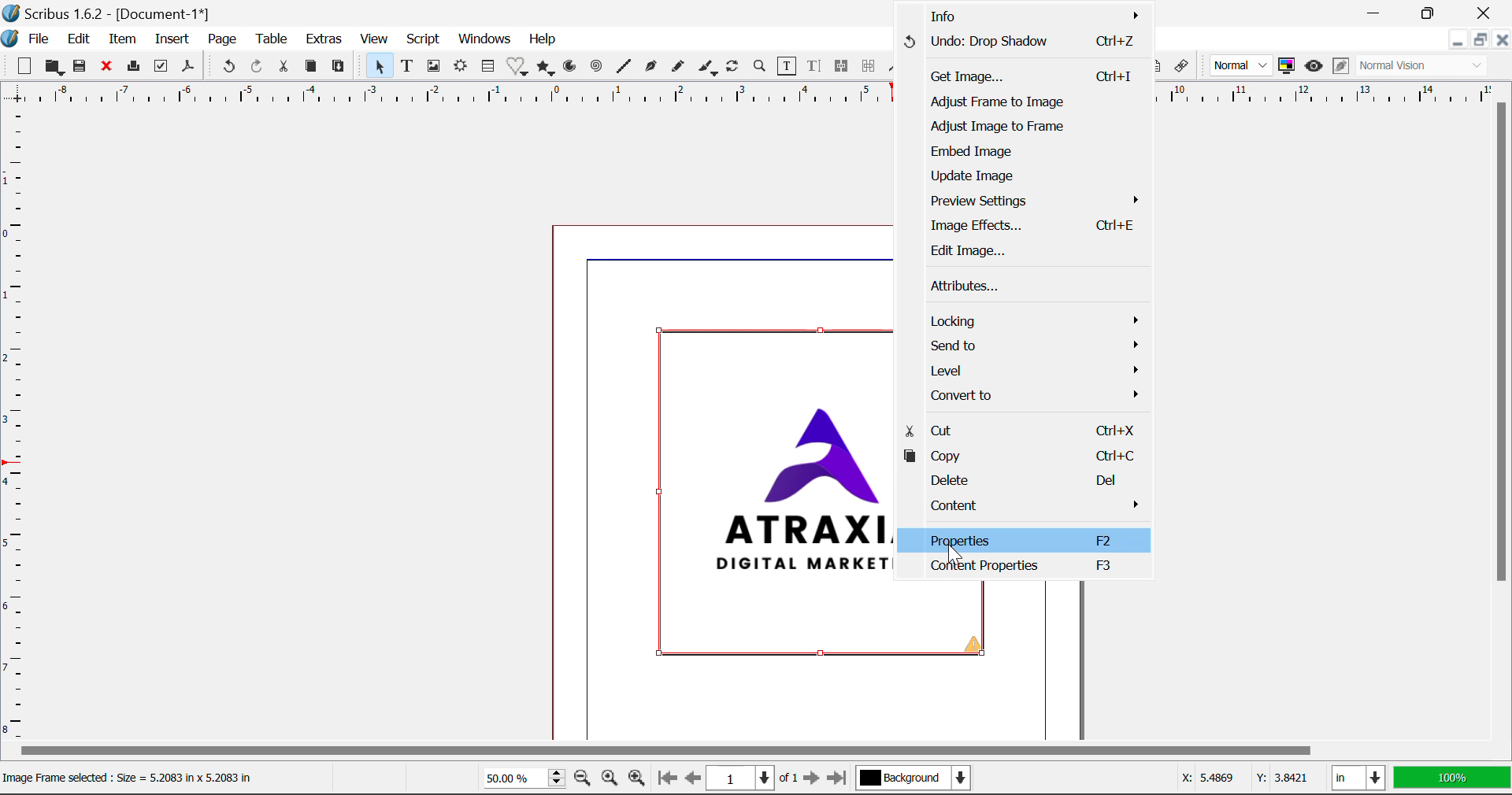 The height and width of the screenshot is (795, 1512). Describe the element at coordinates (568, 70) in the screenshot. I see `Arcs` at that location.